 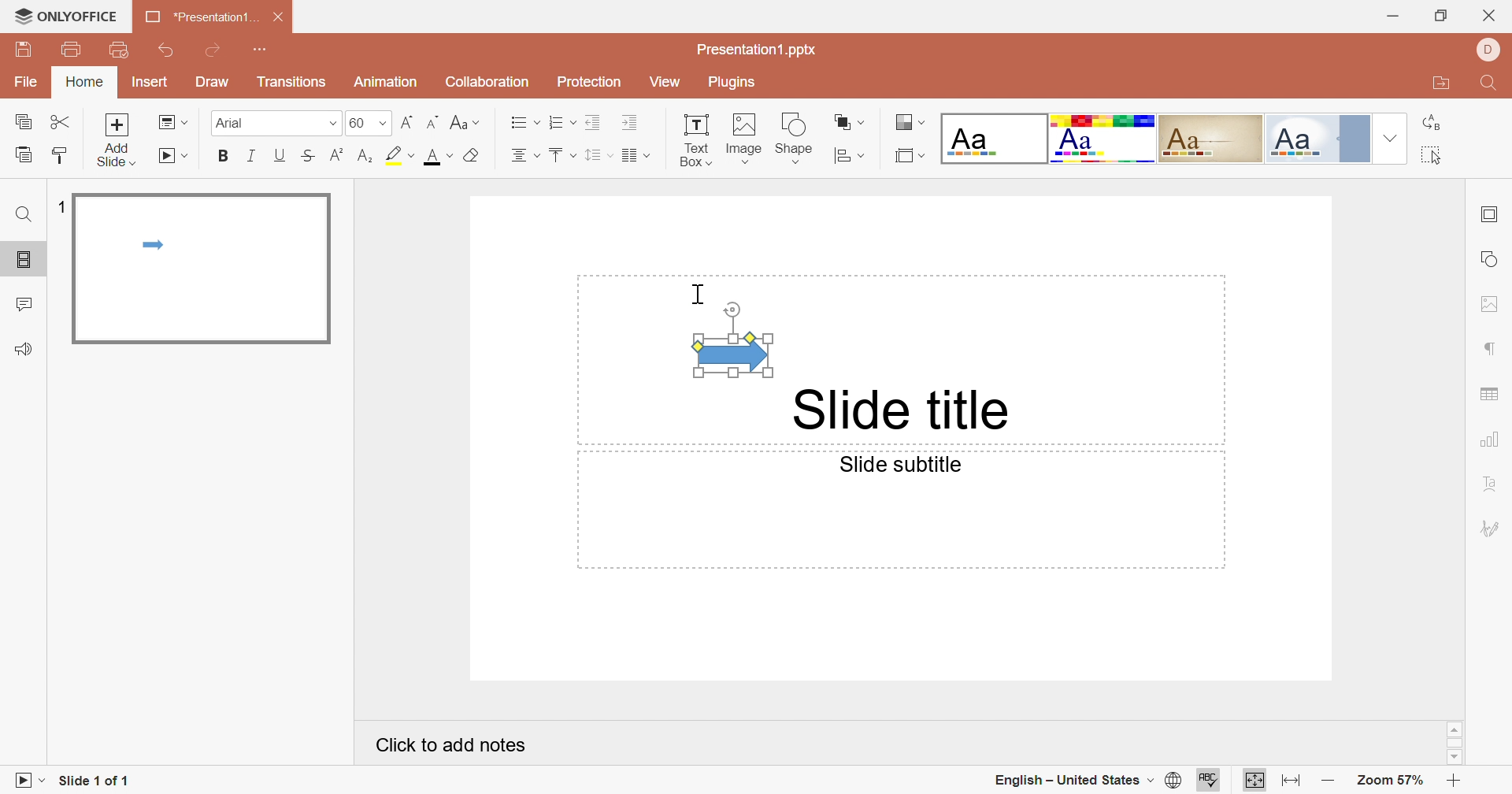 I want to click on Presentation1.pptx, so click(x=755, y=50).